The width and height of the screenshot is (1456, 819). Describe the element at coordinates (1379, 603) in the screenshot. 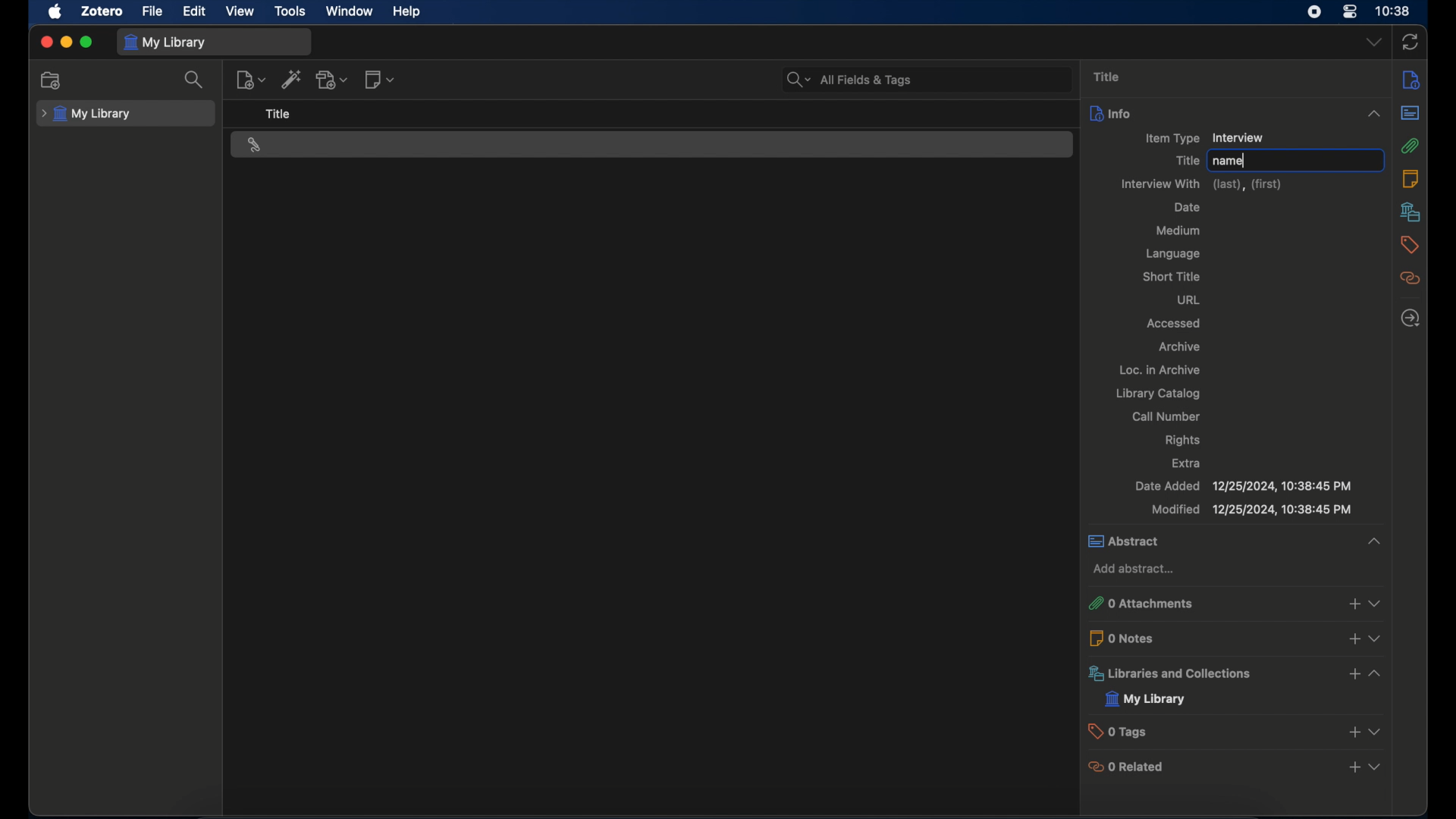

I see `view` at that location.